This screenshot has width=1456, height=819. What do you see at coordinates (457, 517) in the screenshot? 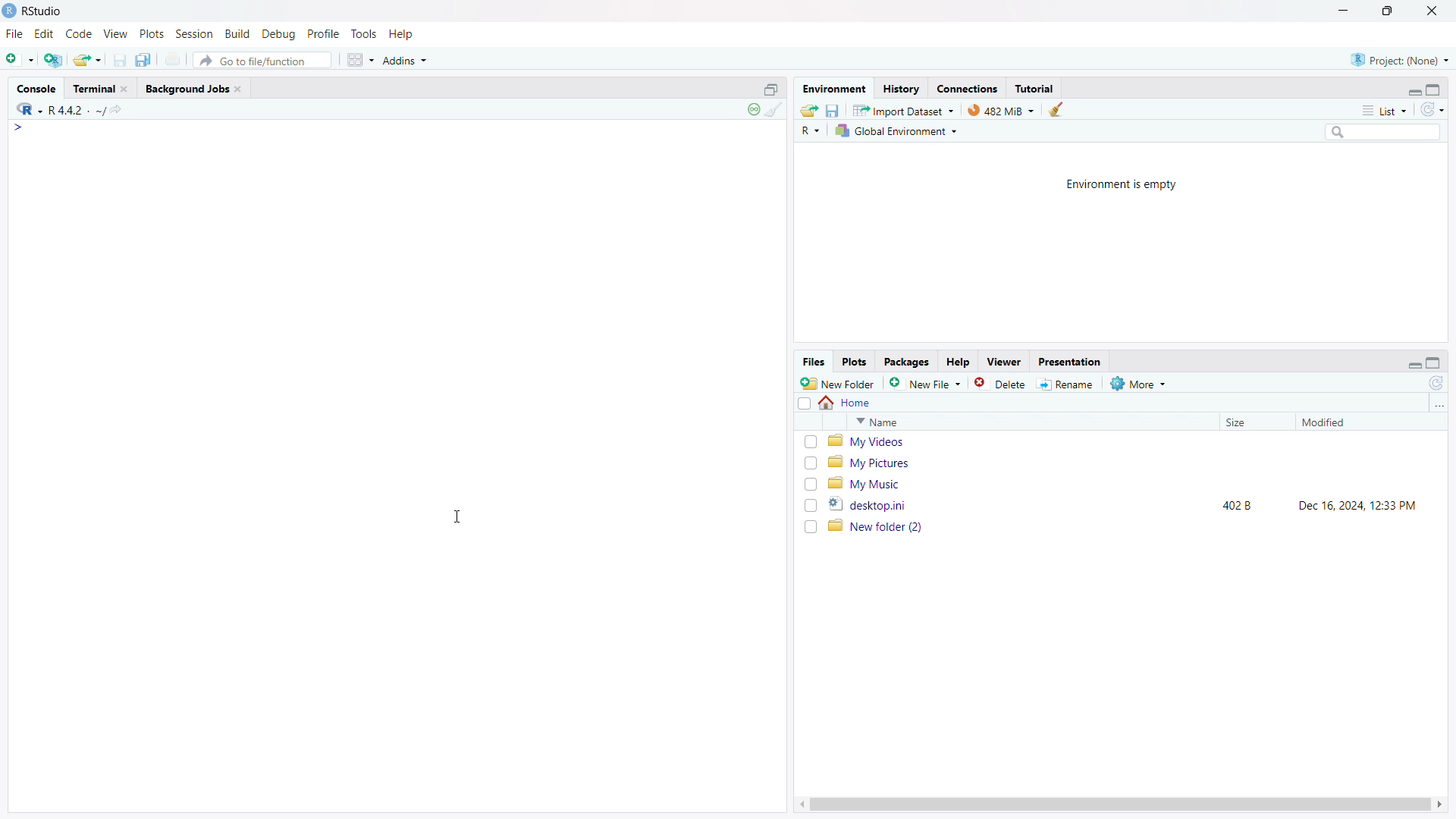
I see `cursor` at bounding box center [457, 517].